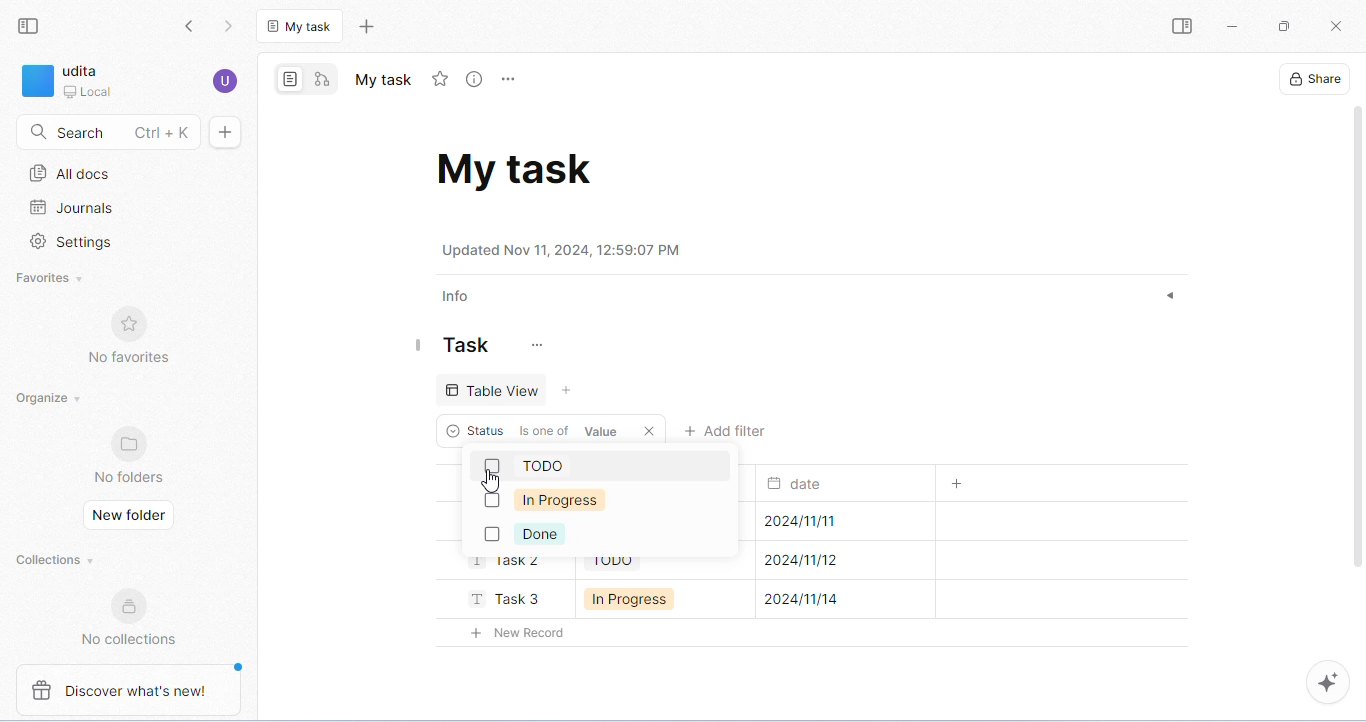 Image resolution: width=1366 pixels, height=722 pixels. What do you see at coordinates (1335, 27) in the screenshot?
I see `close` at bounding box center [1335, 27].